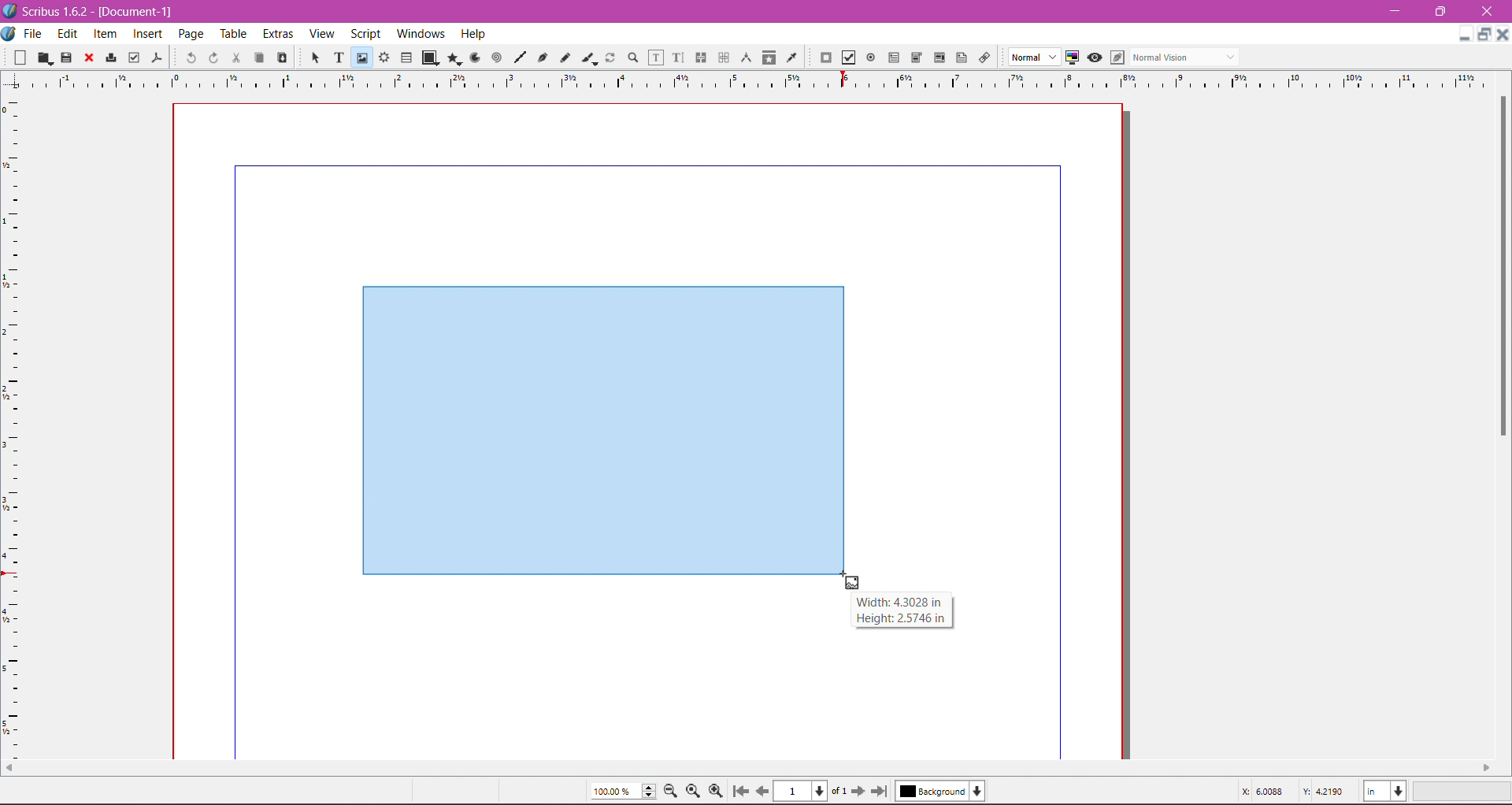 The image size is (1512, 805). What do you see at coordinates (900, 610) in the screenshot?
I see `Tooltip` at bounding box center [900, 610].